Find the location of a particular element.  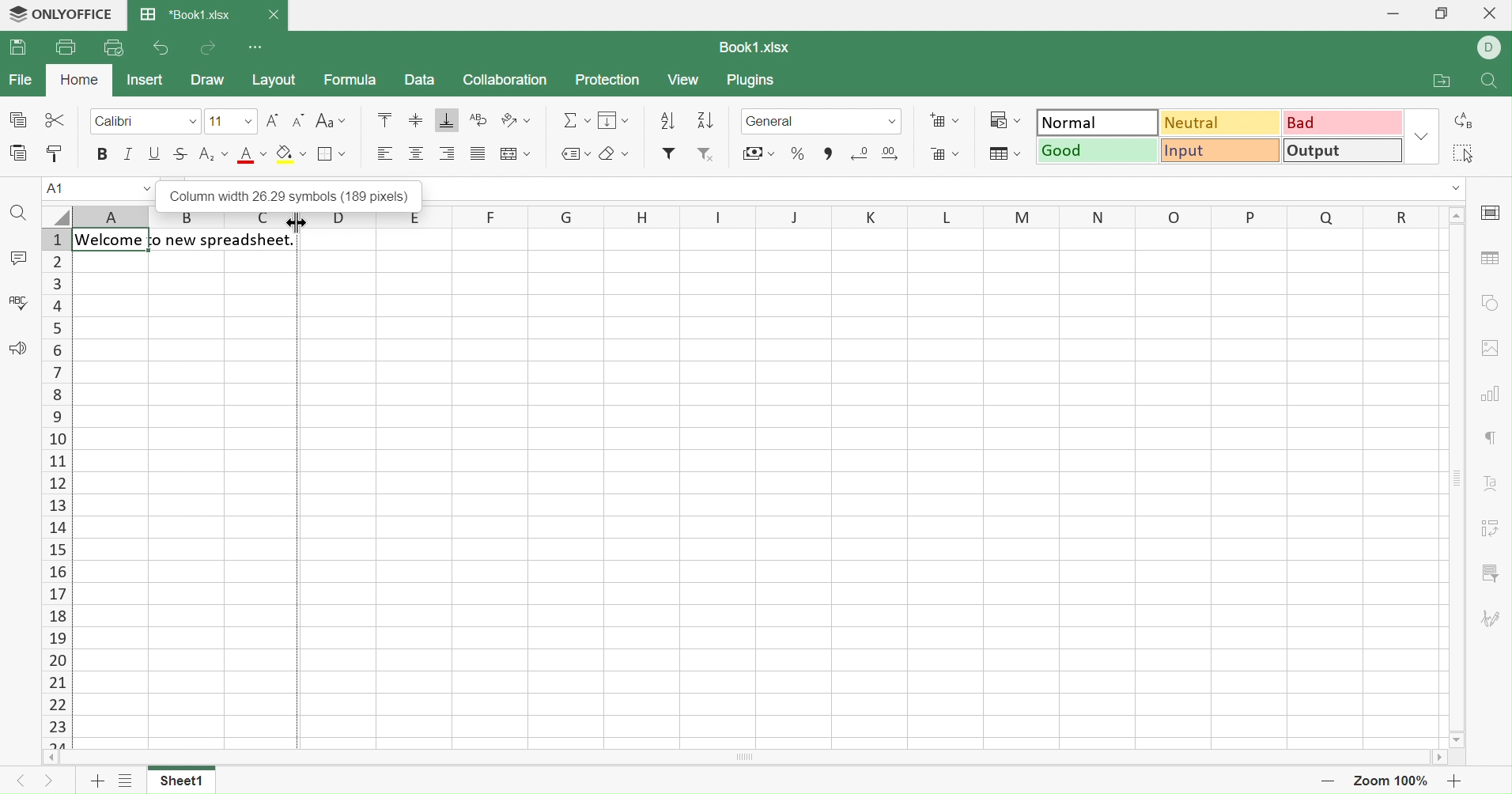

Neutral is located at coordinates (1223, 123).